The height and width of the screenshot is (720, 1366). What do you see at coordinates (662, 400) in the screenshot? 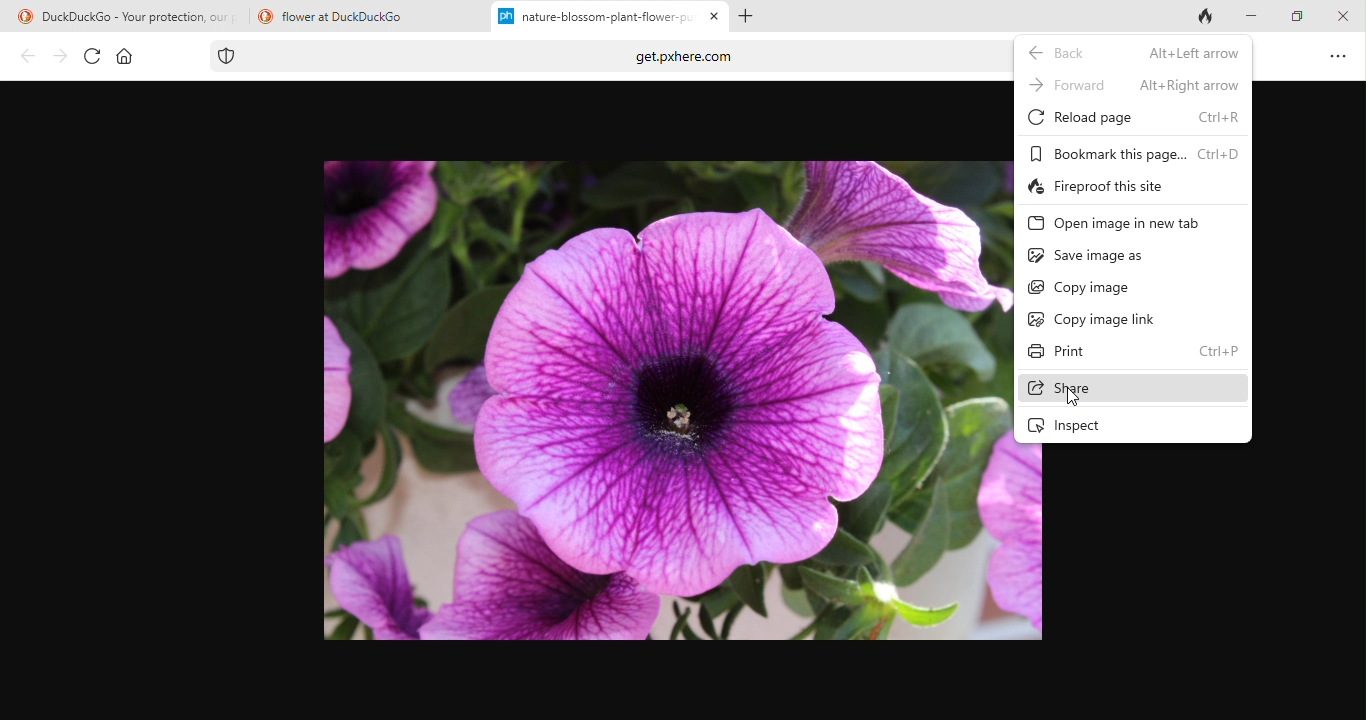
I see `image` at bounding box center [662, 400].